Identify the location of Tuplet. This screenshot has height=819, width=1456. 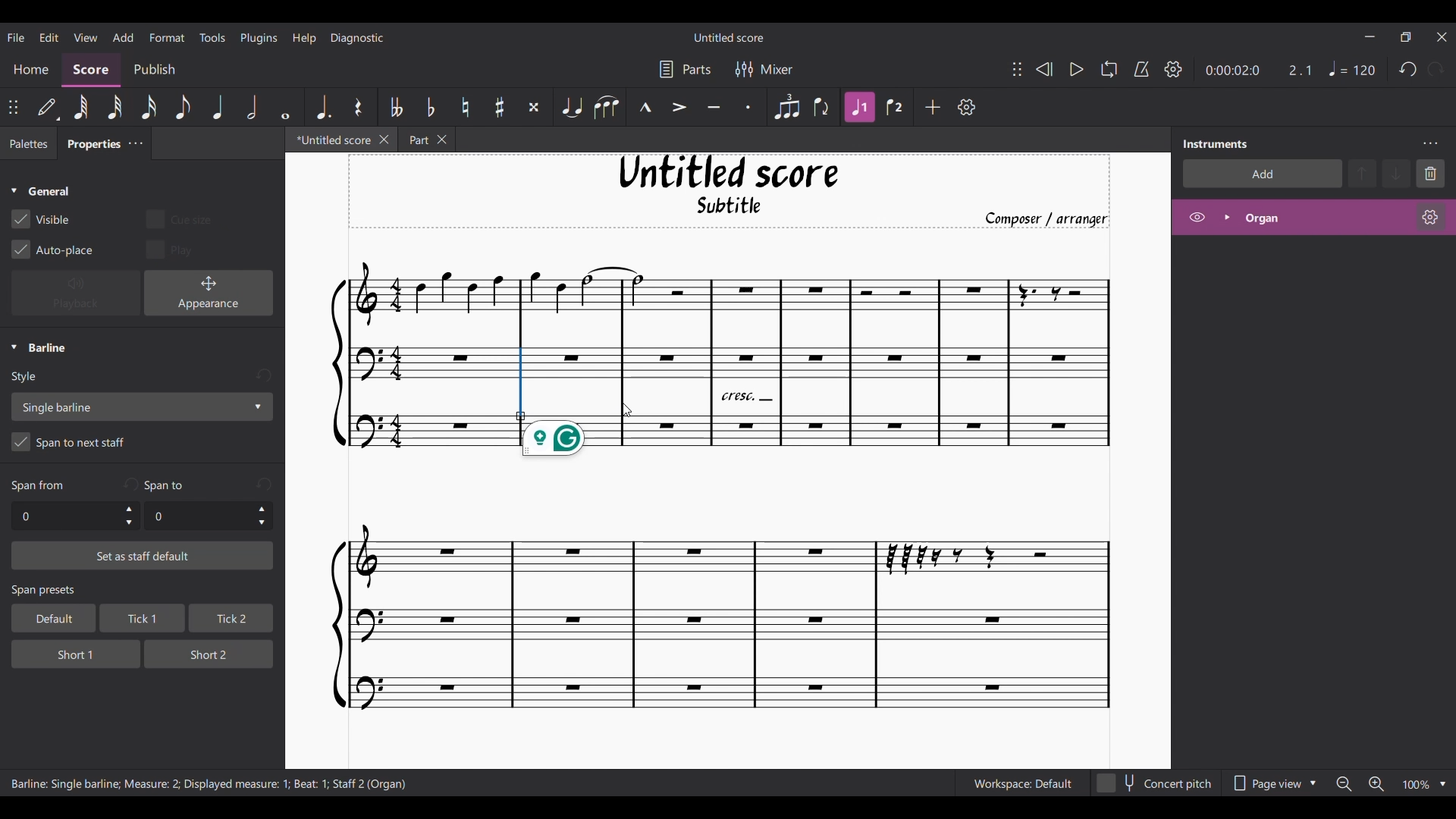
(786, 107).